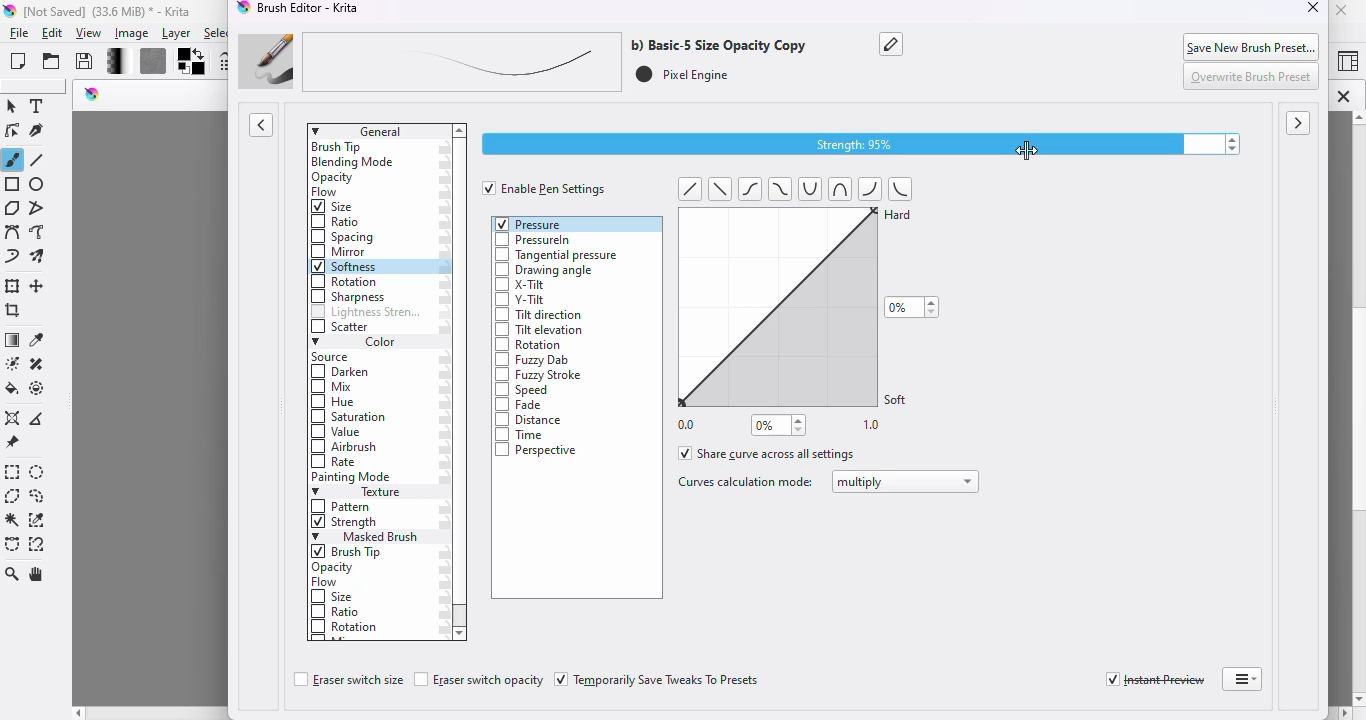 The width and height of the screenshot is (1366, 720). What do you see at coordinates (334, 358) in the screenshot?
I see `source` at bounding box center [334, 358].